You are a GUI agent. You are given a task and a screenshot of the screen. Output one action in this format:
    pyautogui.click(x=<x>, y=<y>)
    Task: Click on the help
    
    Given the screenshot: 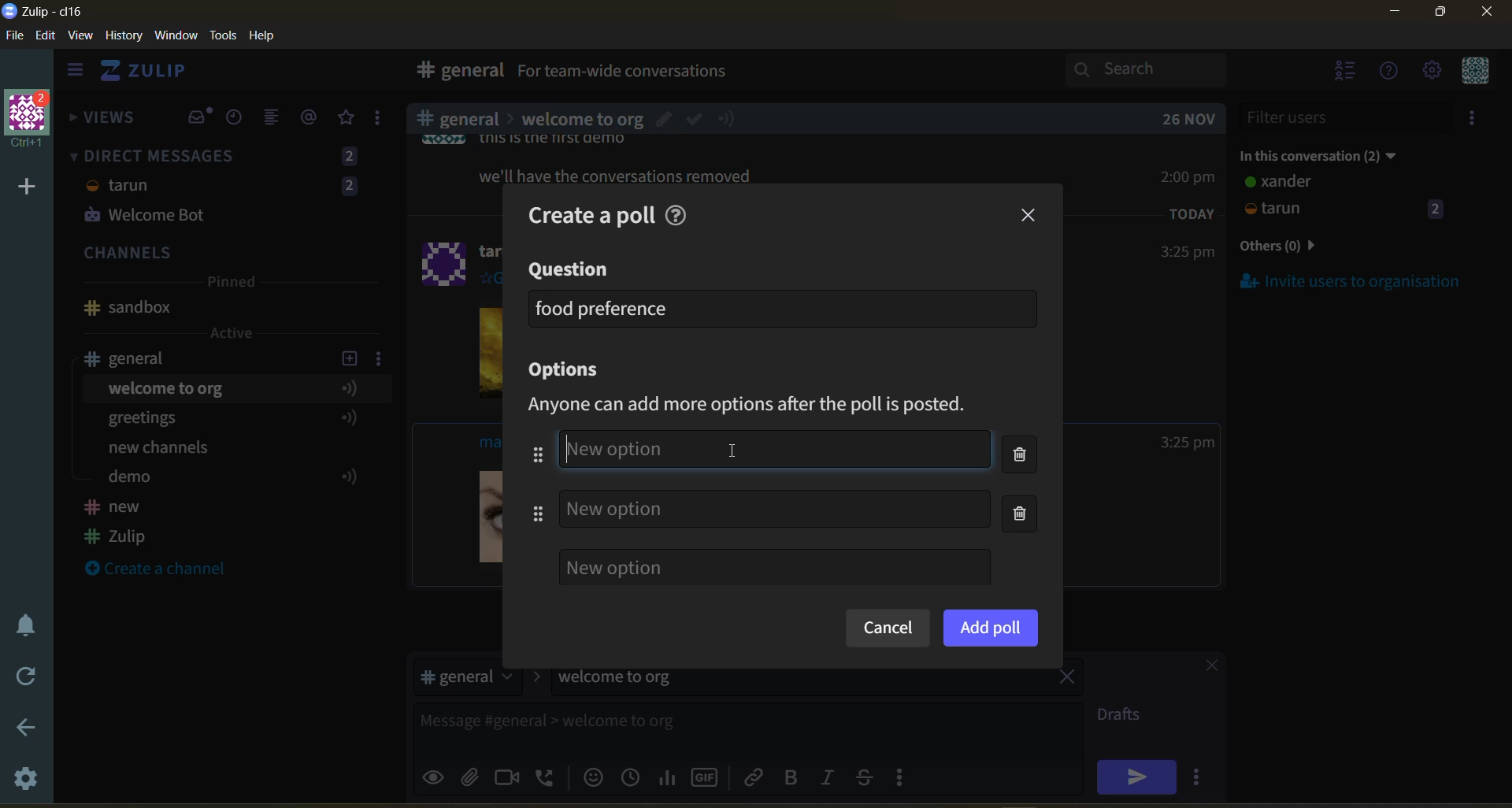 What is the action you would take?
    pyautogui.click(x=915, y=74)
    